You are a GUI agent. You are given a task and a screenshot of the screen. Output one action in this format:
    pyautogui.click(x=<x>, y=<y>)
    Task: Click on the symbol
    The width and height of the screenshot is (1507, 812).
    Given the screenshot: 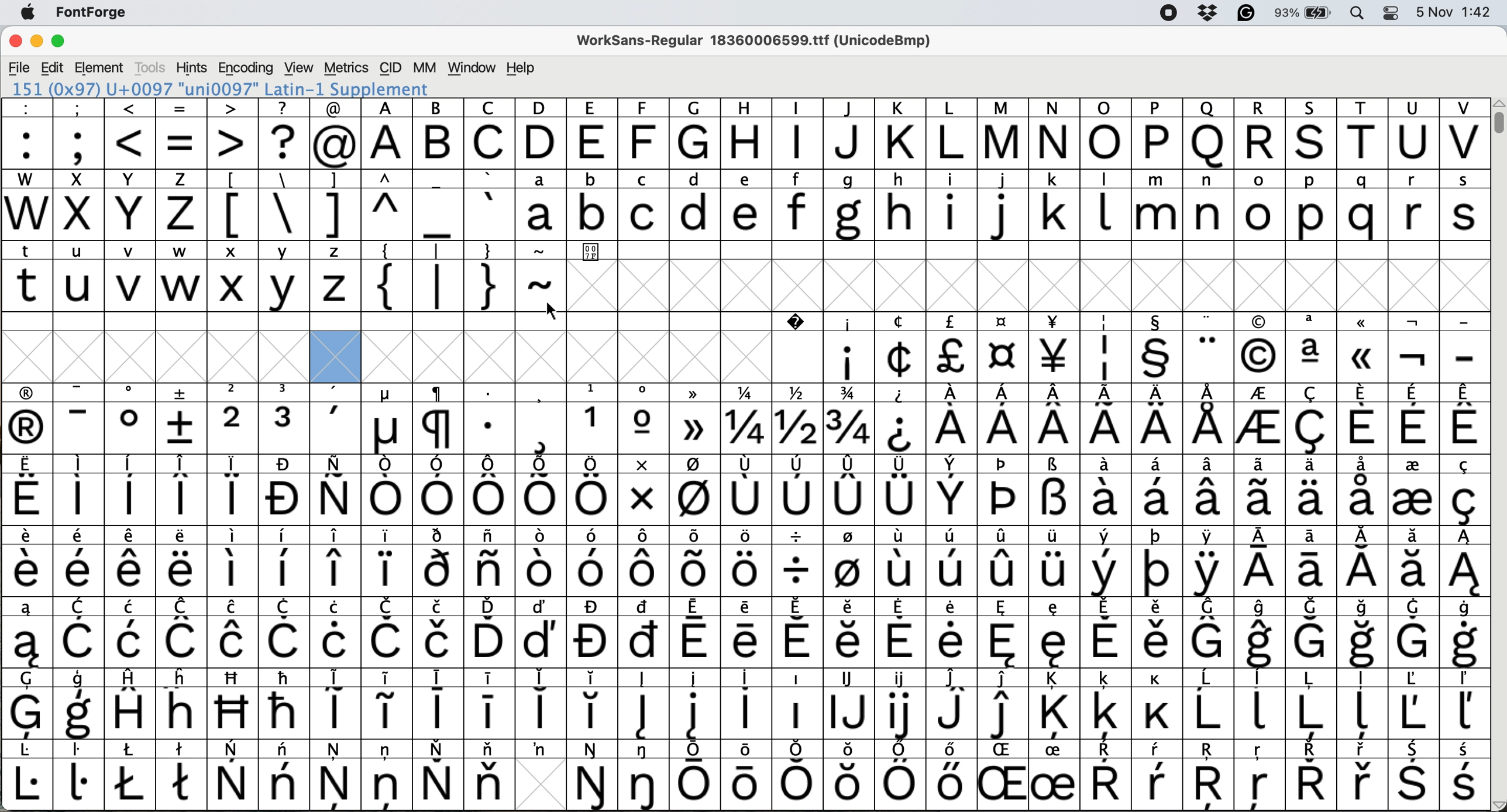 What is the action you would take?
    pyautogui.click(x=1054, y=704)
    